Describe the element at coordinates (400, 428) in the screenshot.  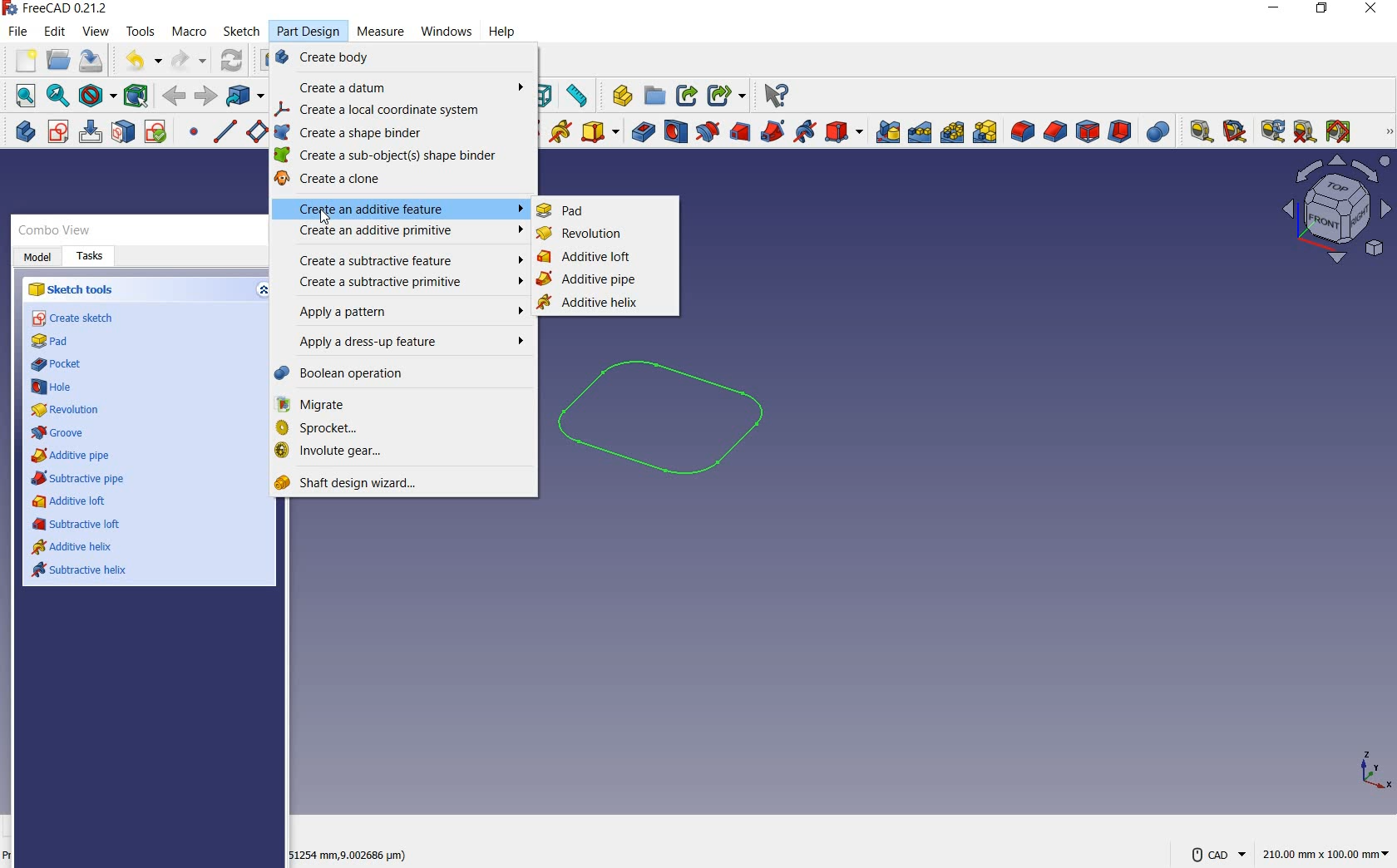
I see `sprocket` at that location.